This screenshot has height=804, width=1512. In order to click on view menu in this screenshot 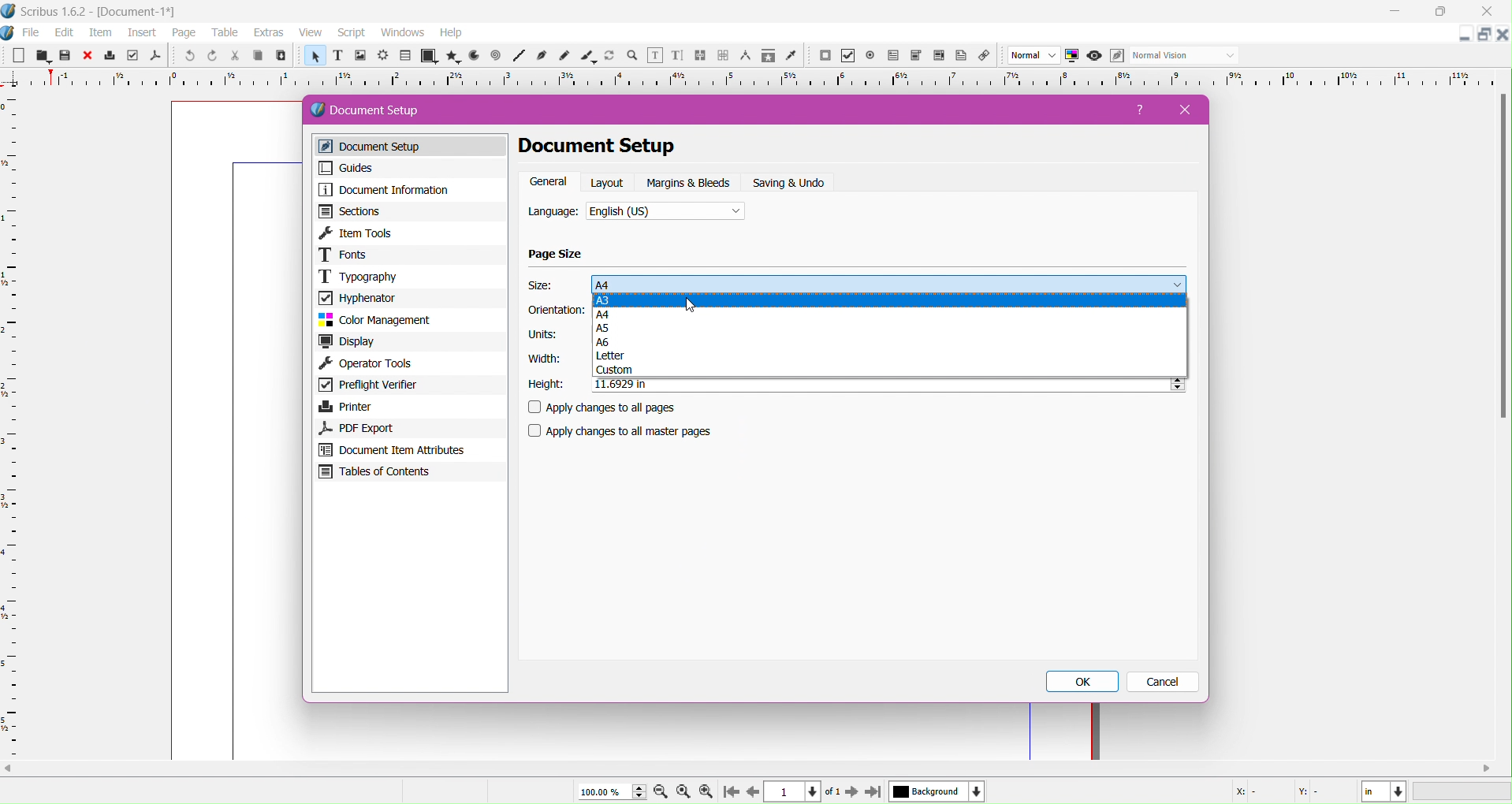, I will do `click(311, 33)`.